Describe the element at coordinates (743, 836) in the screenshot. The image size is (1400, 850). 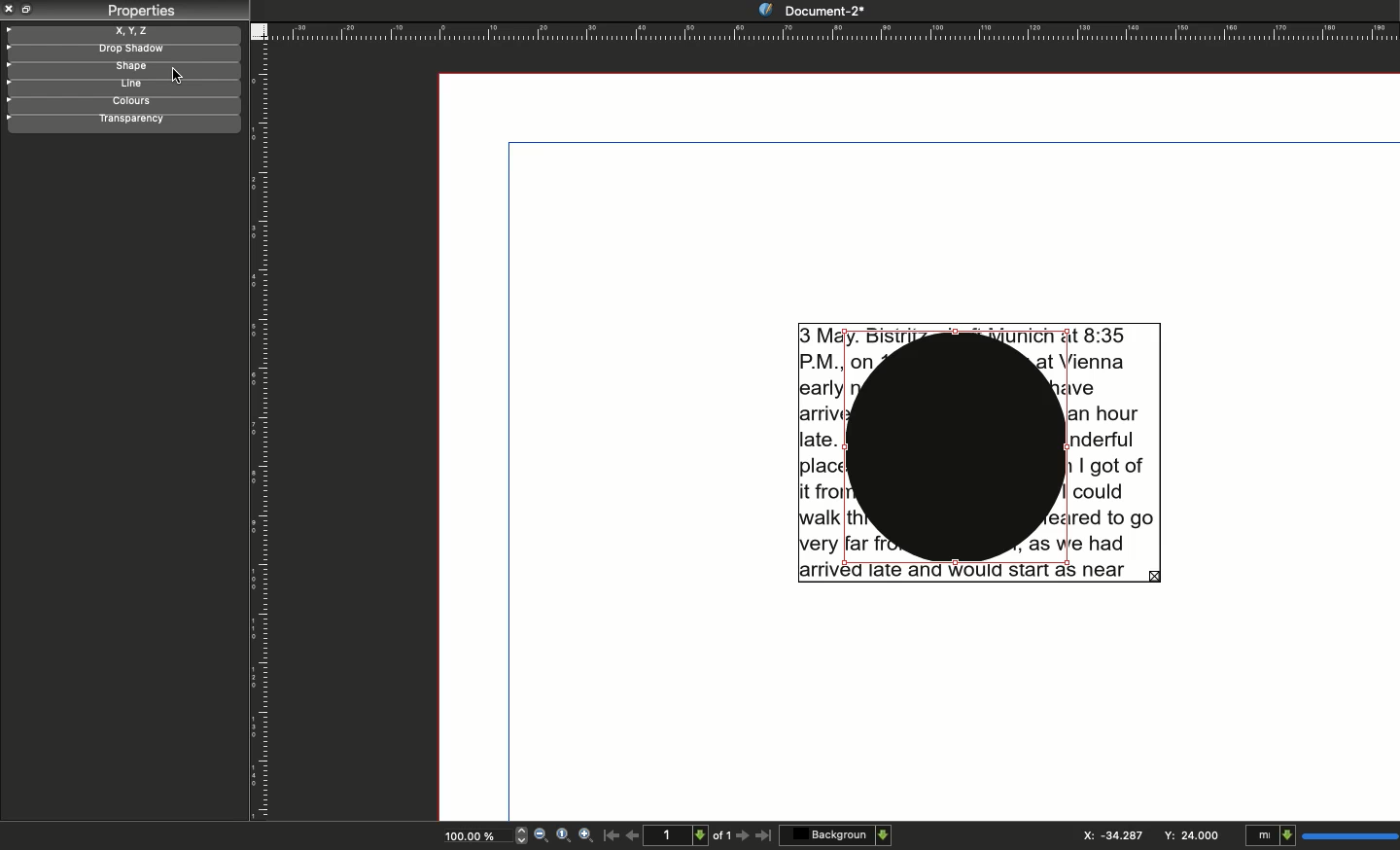
I see `Next page` at that location.